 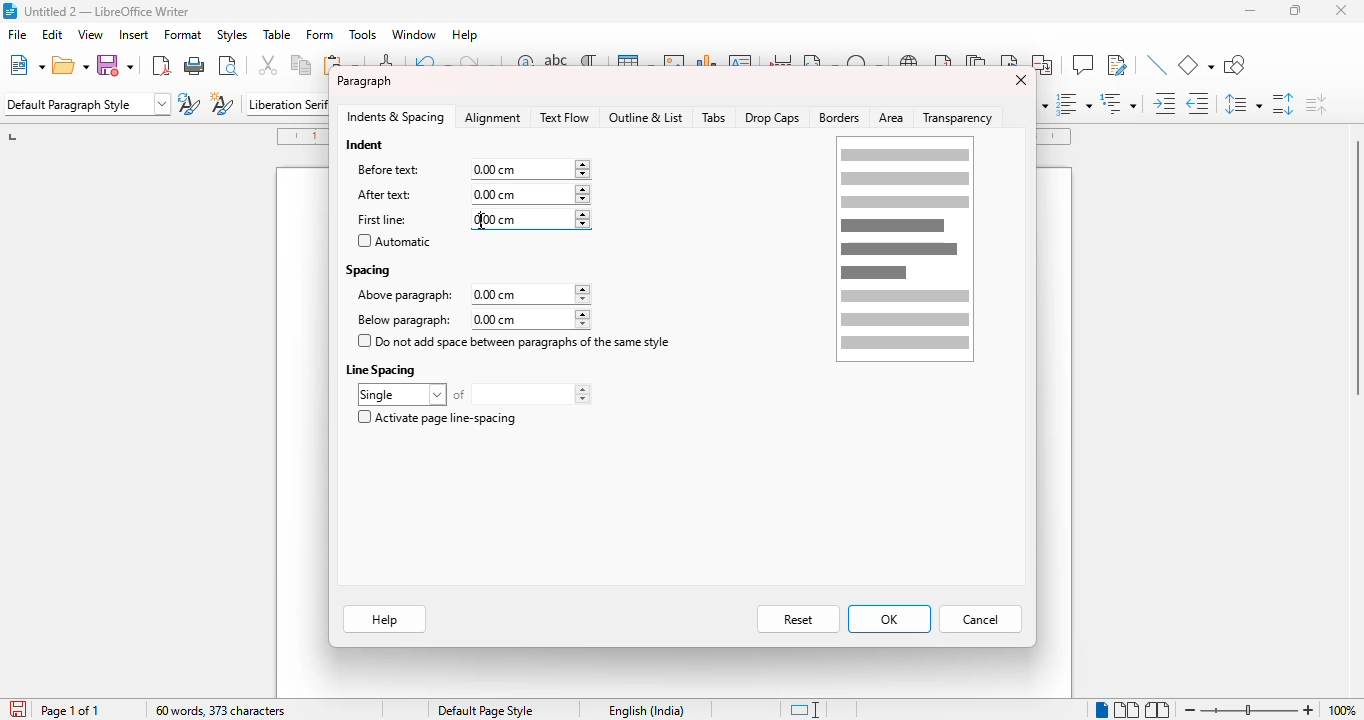 What do you see at coordinates (366, 144) in the screenshot?
I see `indent` at bounding box center [366, 144].